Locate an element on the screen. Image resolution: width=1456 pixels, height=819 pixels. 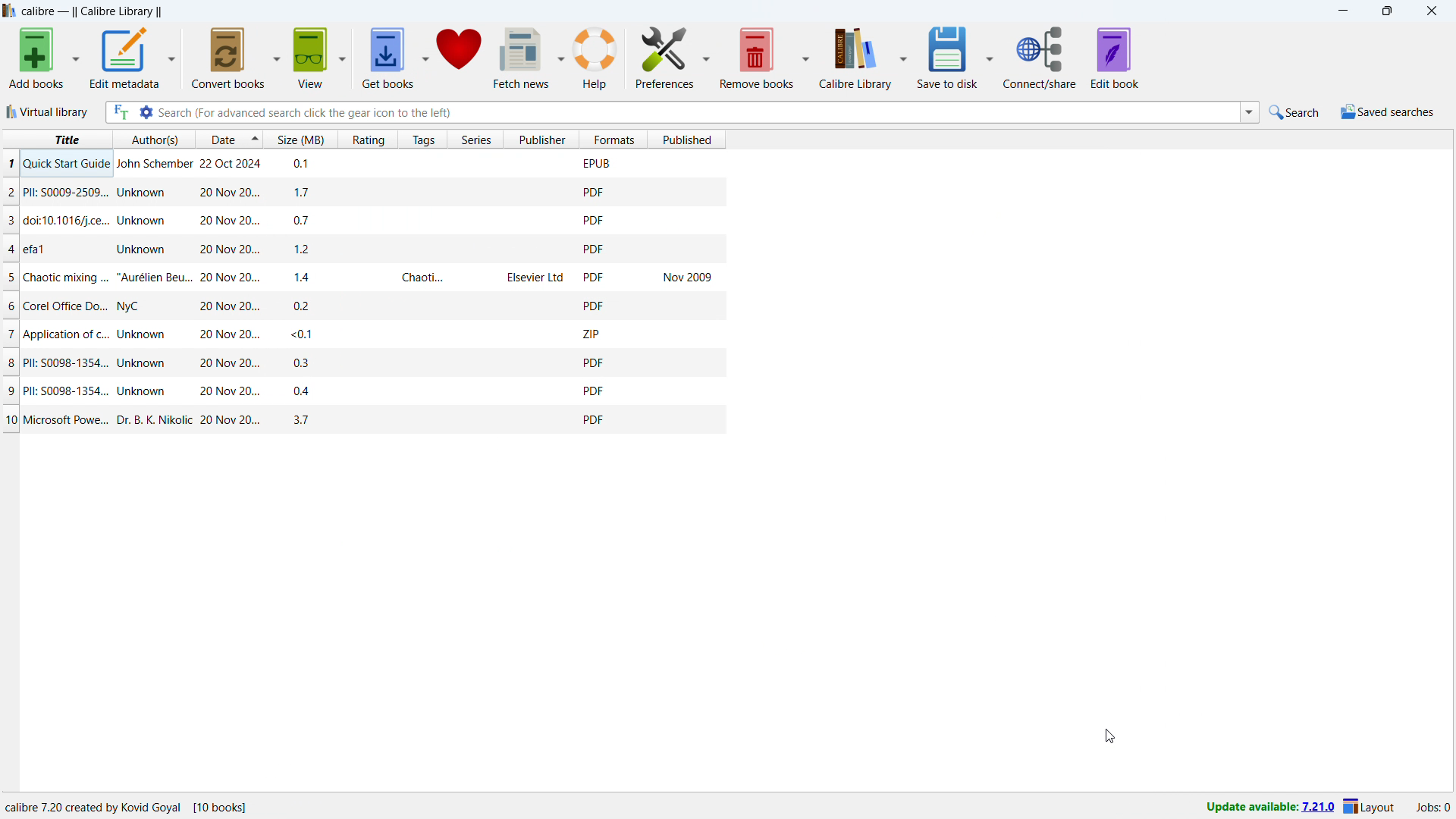
preferences is located at coordinates (664, 57).